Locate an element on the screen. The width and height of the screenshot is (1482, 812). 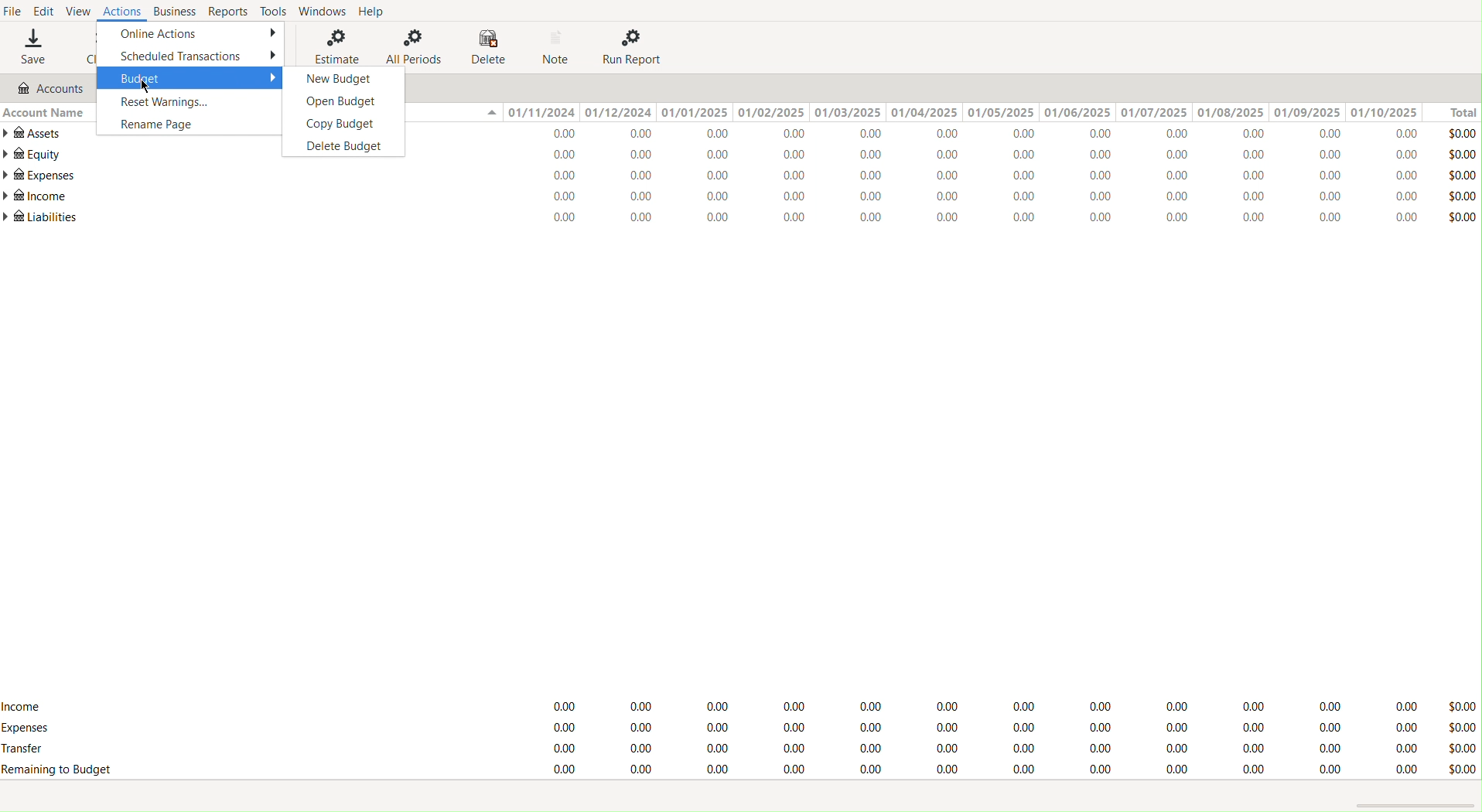
Expenses is located at coordinates (988, 728).